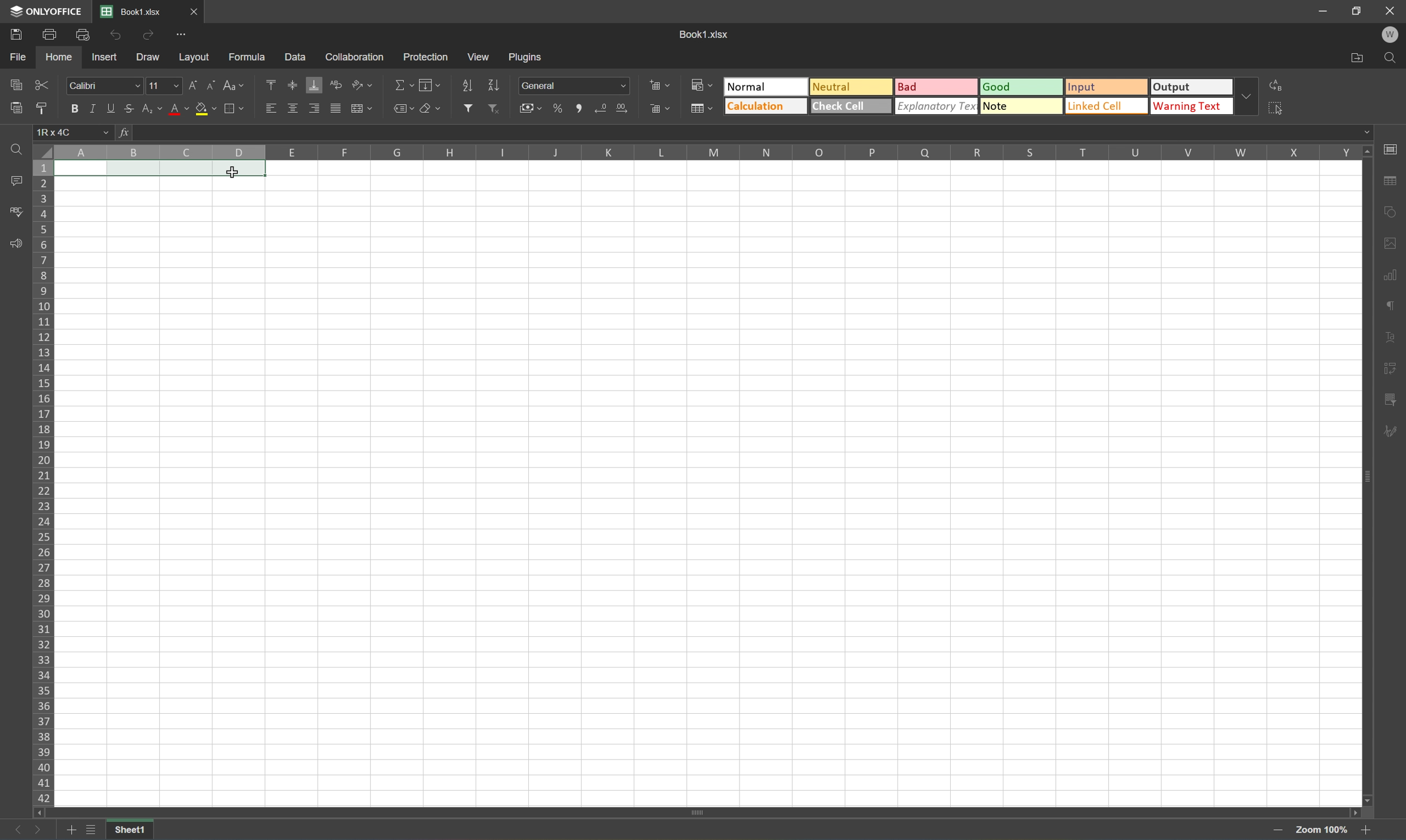  I want to click on Select all, so click(1279, 110).